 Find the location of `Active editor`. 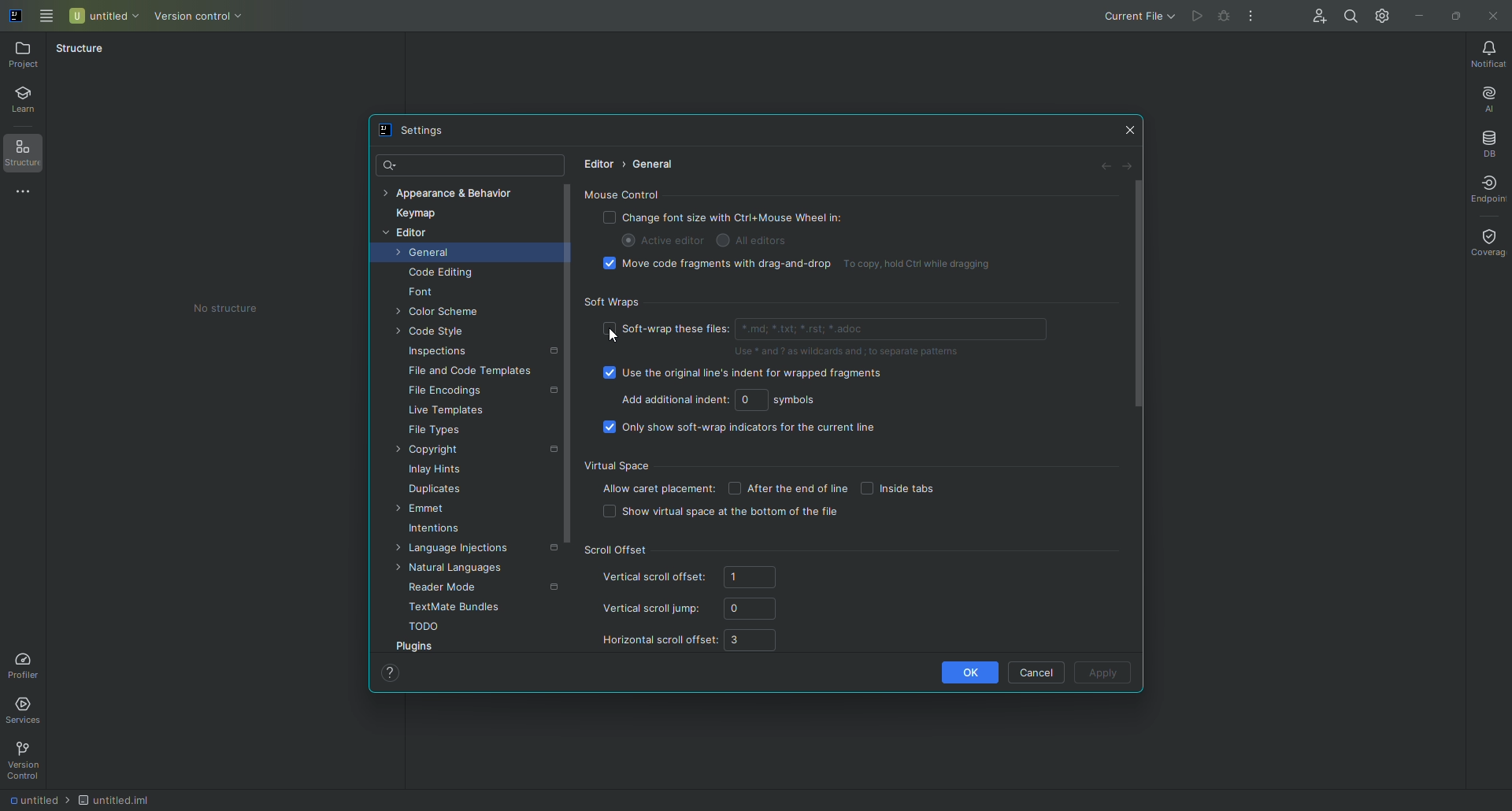

Active editor is located at coordinates (663, 240).